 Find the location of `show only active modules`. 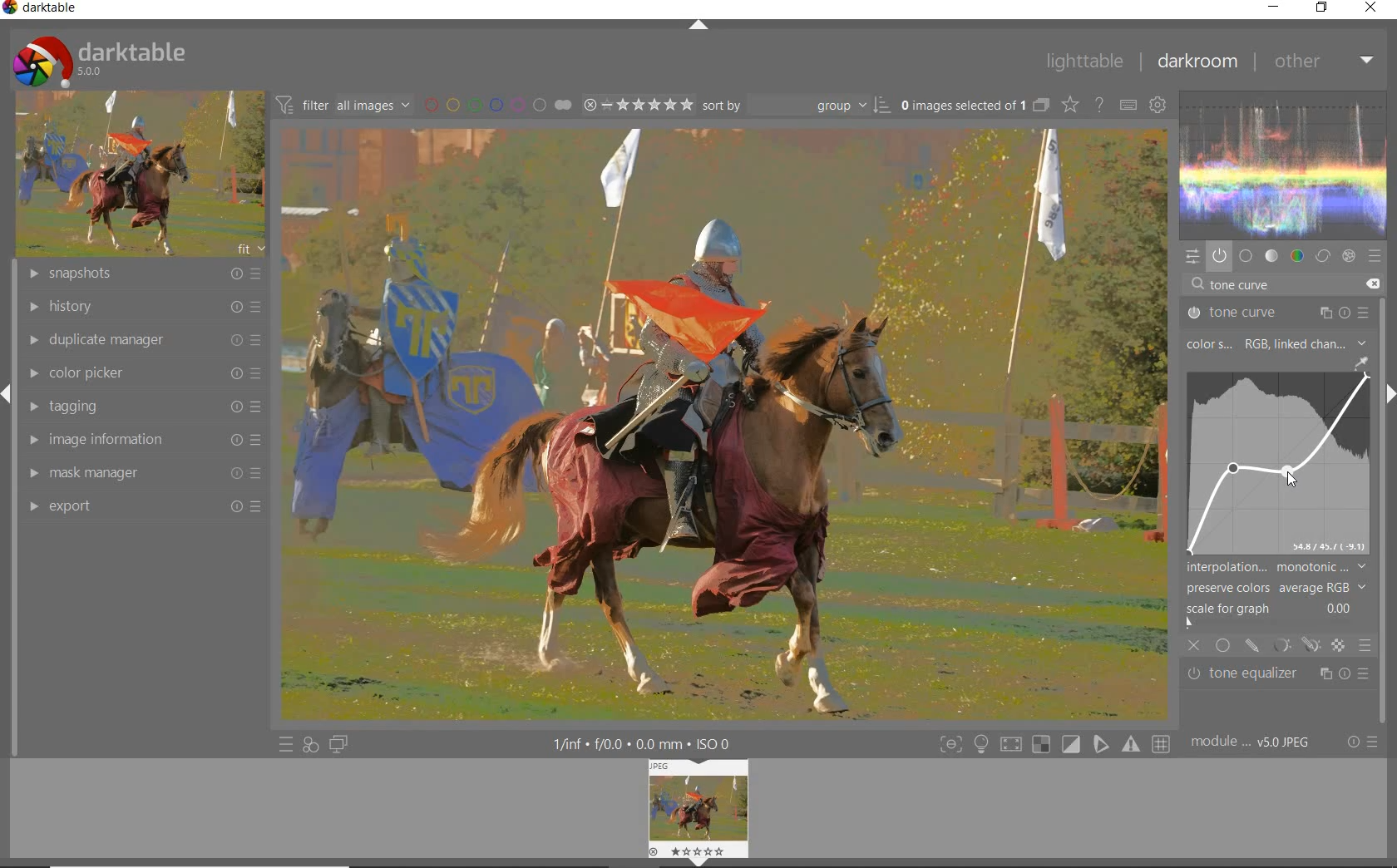

show only active modules is located at coordinates (1219, 257).